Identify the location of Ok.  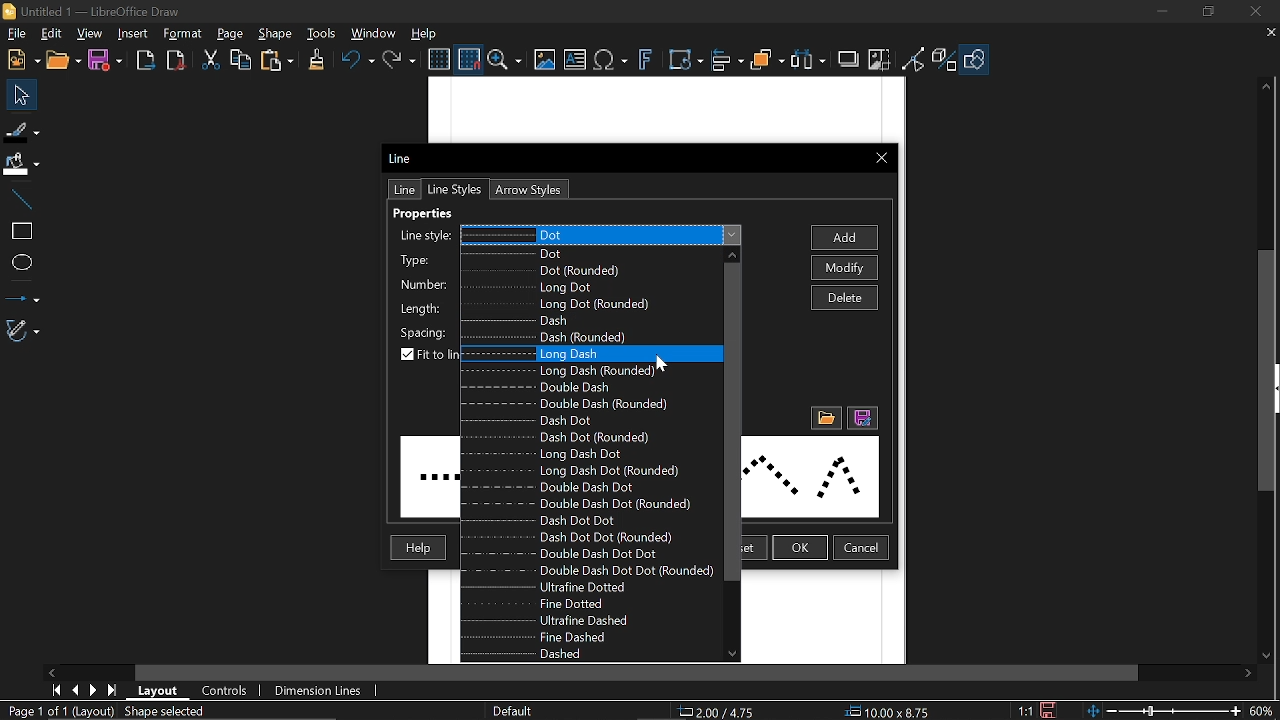
(801, 548).